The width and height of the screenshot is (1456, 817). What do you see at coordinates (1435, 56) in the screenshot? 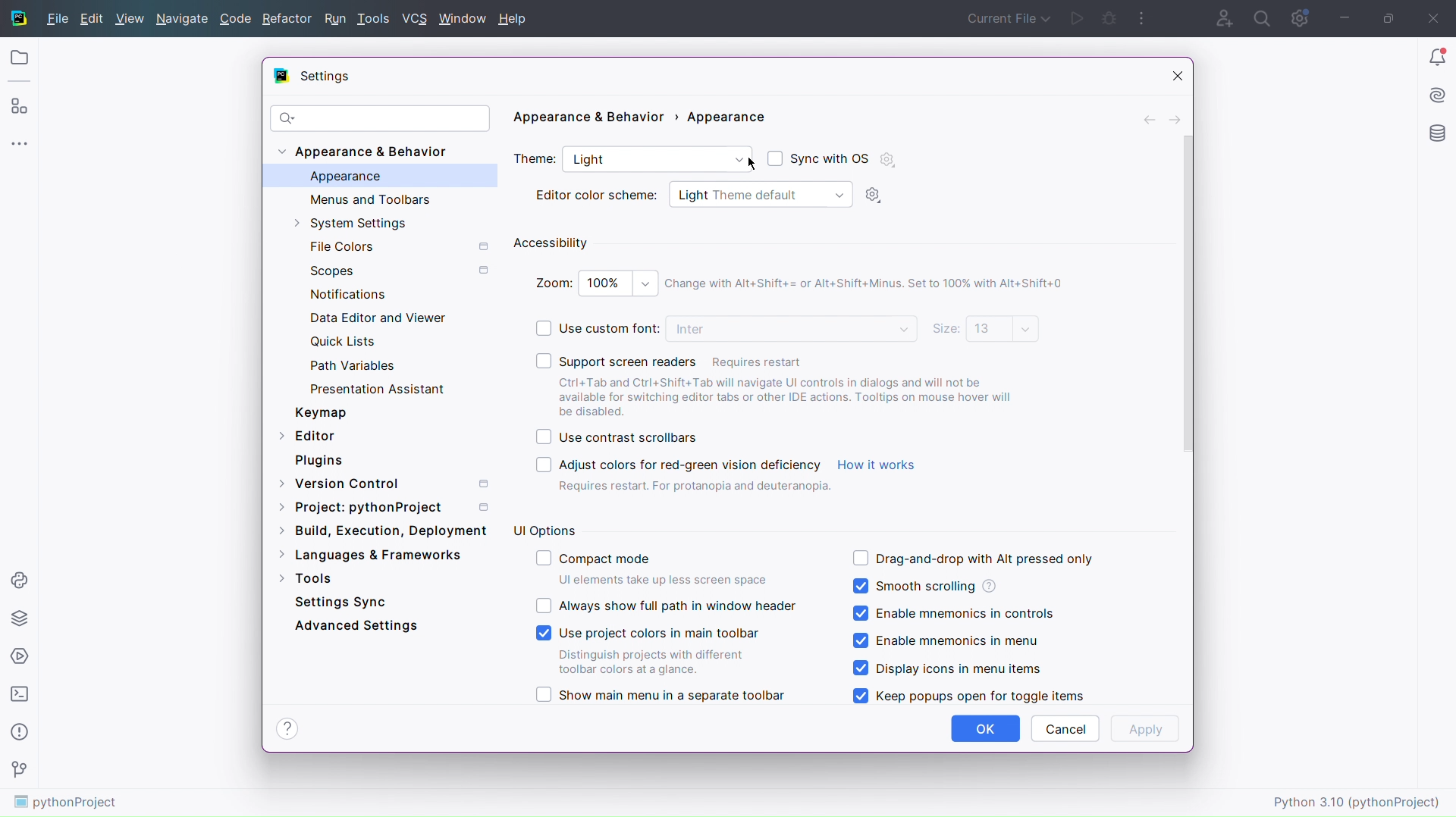
I see `Notifications` at bounding box center [1435, 56].